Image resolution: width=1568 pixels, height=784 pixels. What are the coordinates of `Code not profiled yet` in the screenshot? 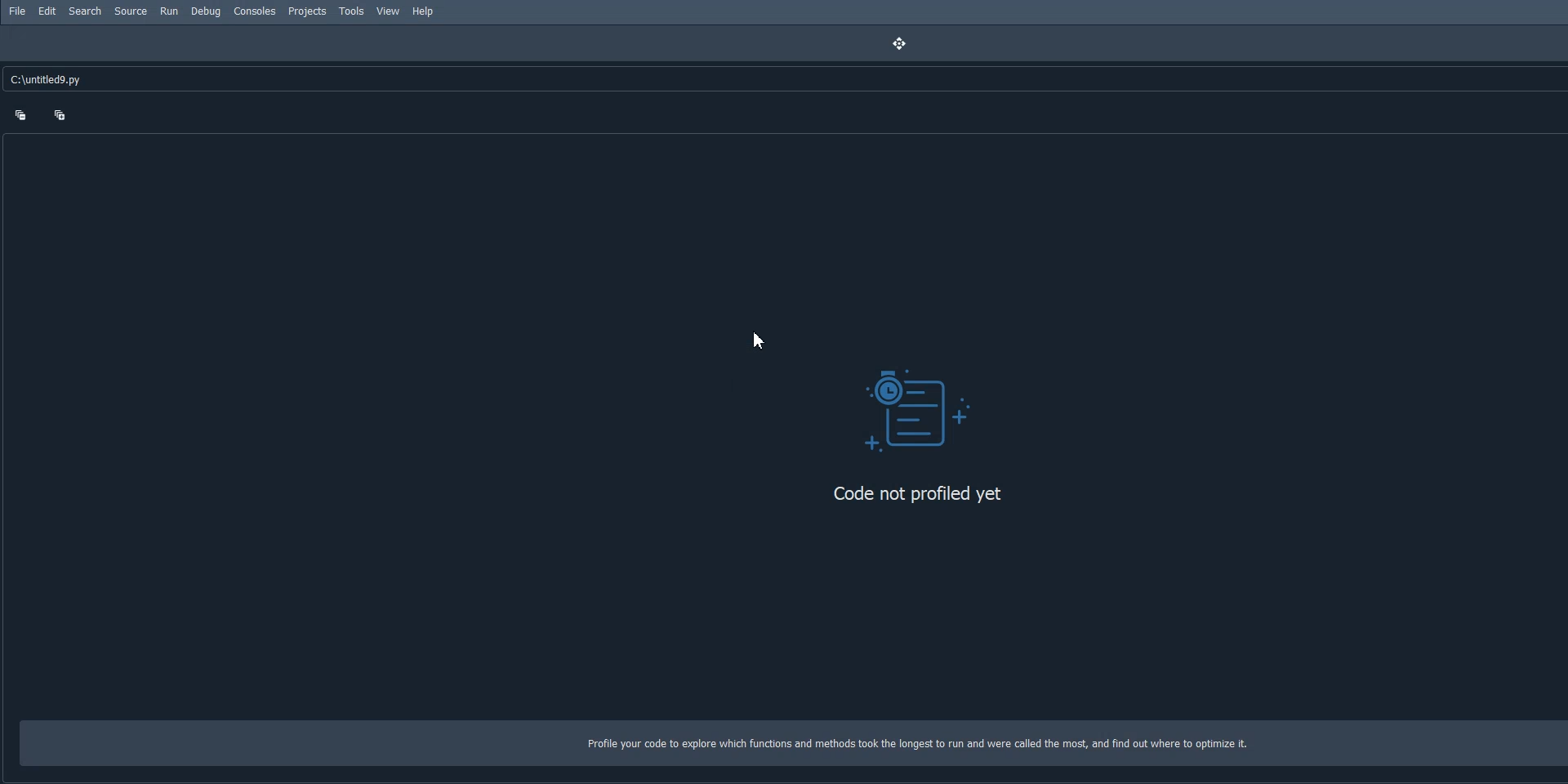 It's located at (925, 492).